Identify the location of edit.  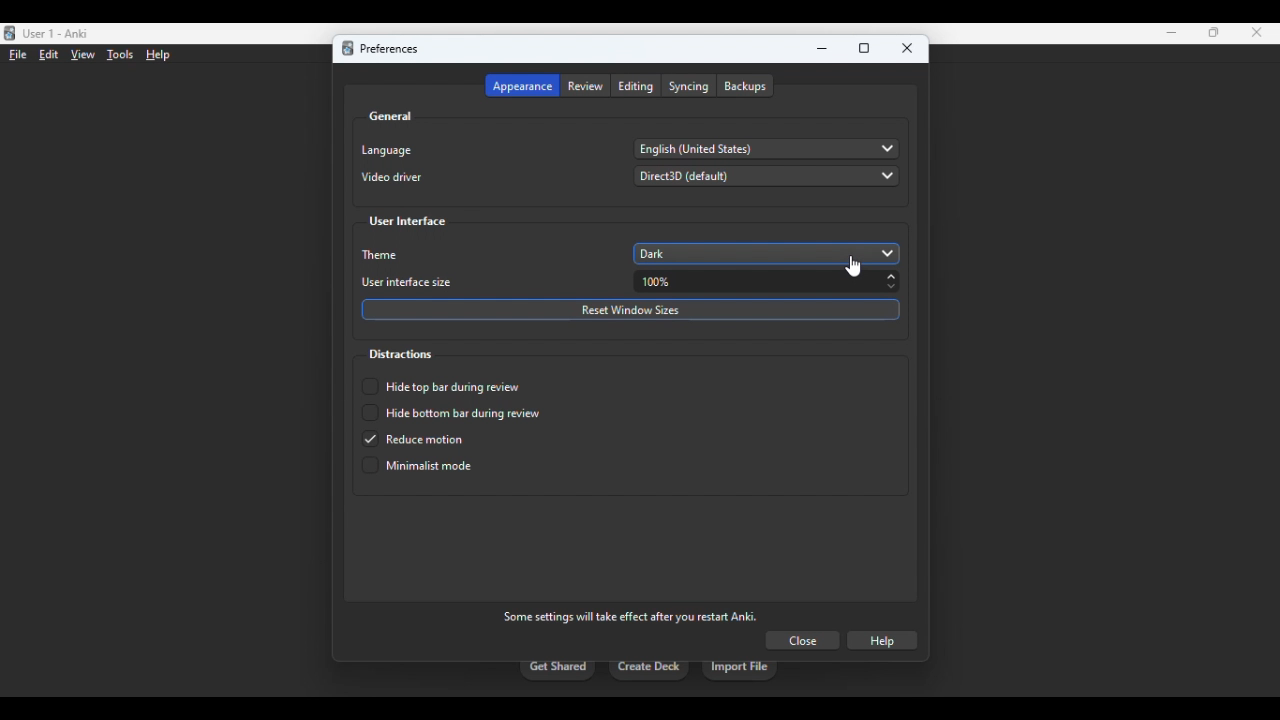
(49, 54).